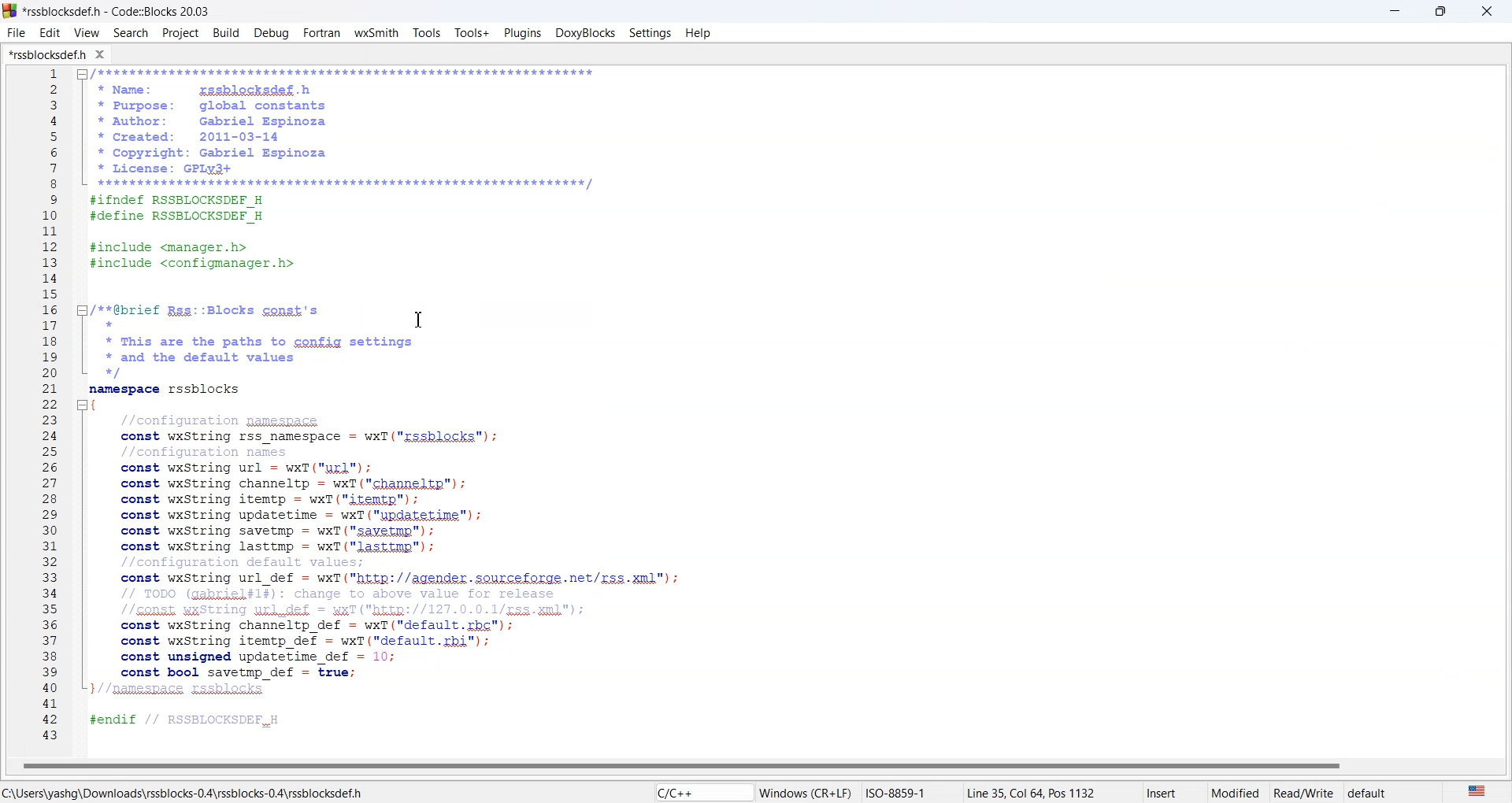  Describe the element at coordinates (52, 407) in the screenshot. I see `Line number` at that location.